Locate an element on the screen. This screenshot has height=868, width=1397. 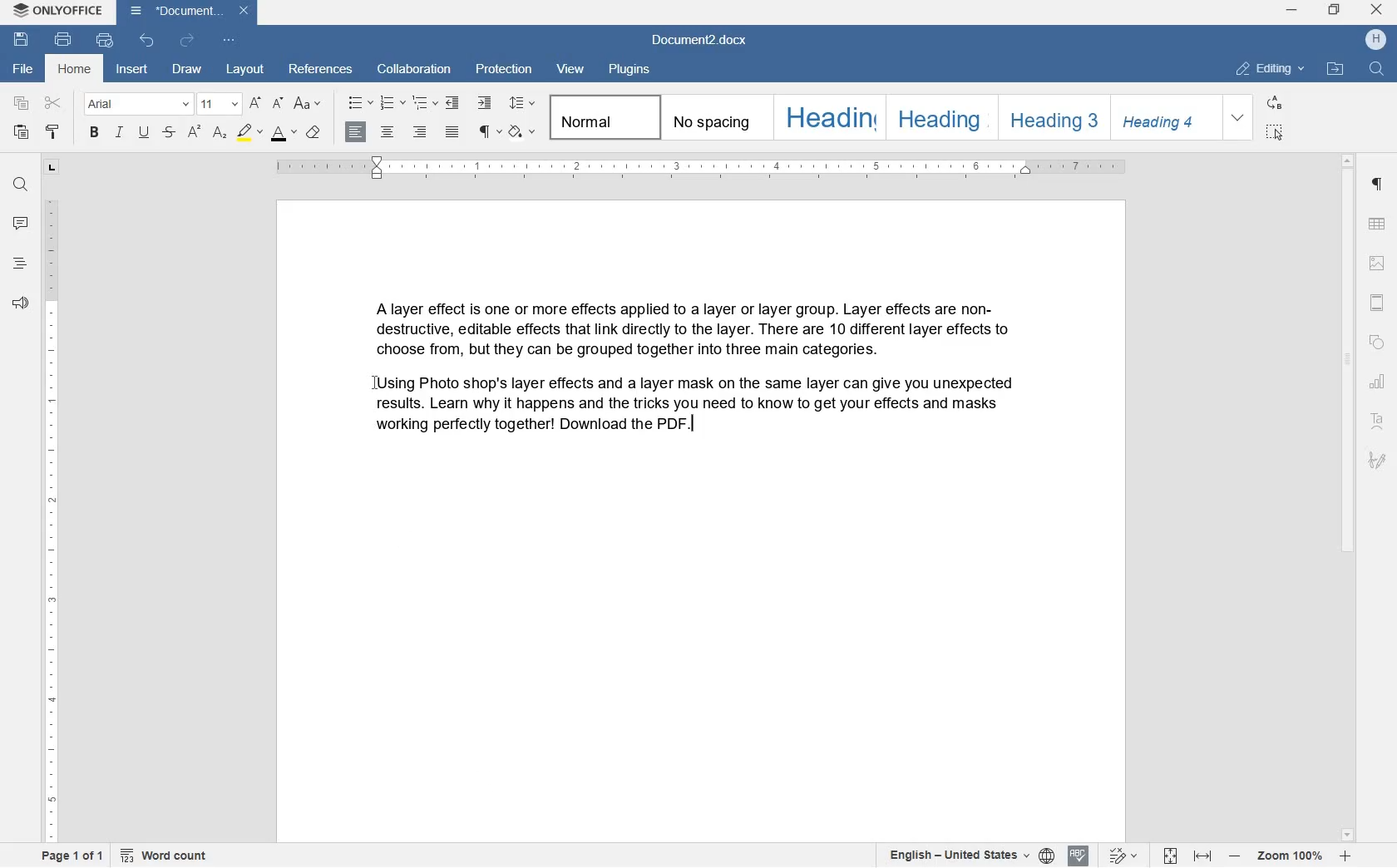
PRINT is located at coordinates (64, 39).